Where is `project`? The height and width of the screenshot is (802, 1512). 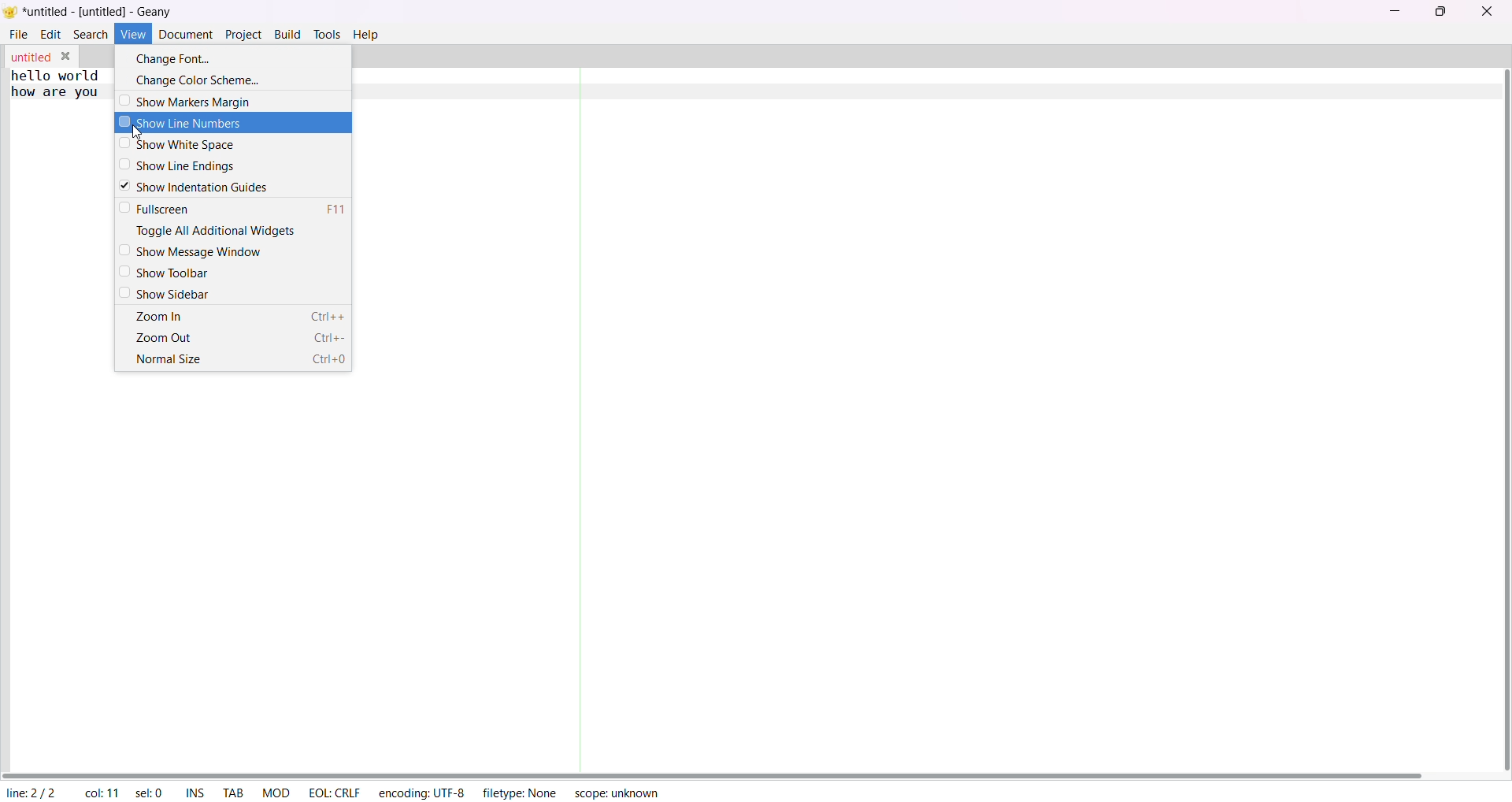 project is located at coordinates (243, 34).